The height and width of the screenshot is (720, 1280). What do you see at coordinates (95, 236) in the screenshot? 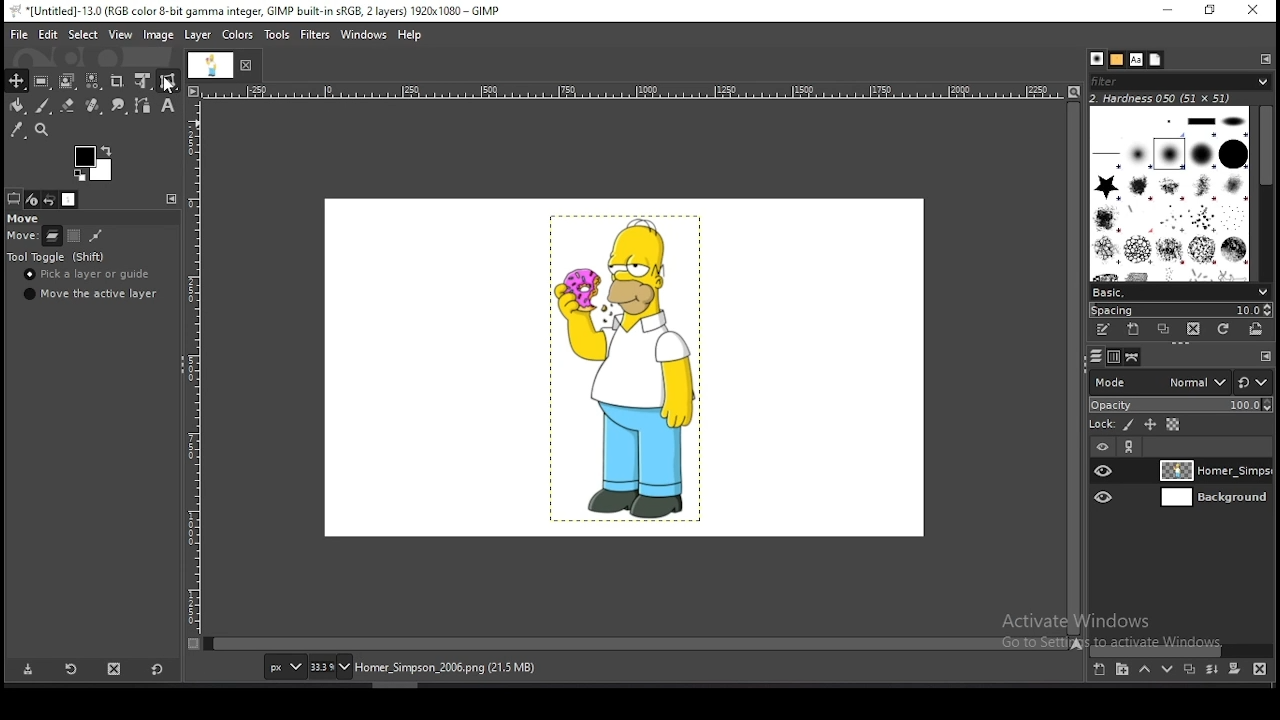
I see `move paths` at bounding box center [95, 236].